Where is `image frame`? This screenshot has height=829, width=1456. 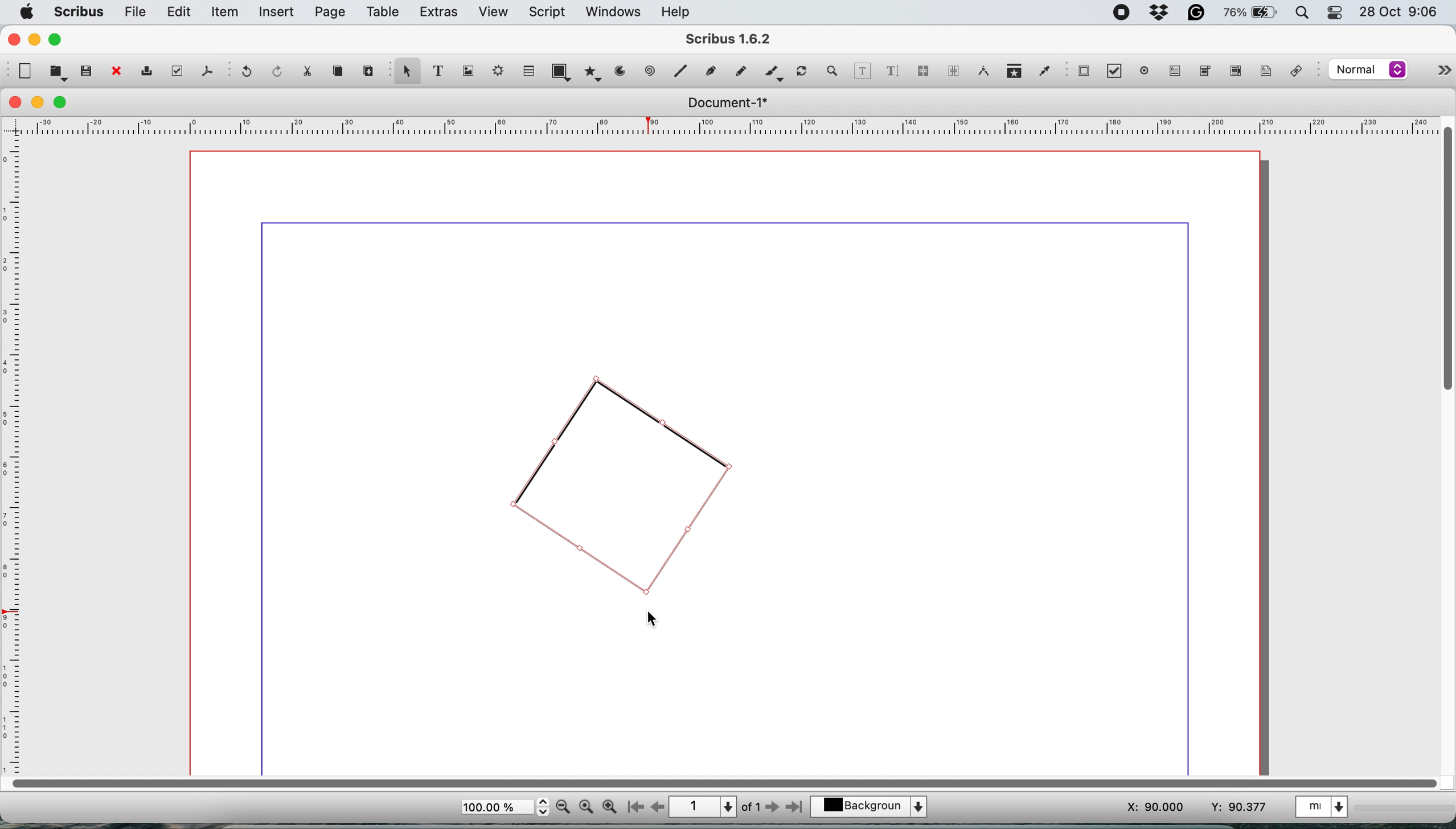
image frame is located at coordinates (471, 72).